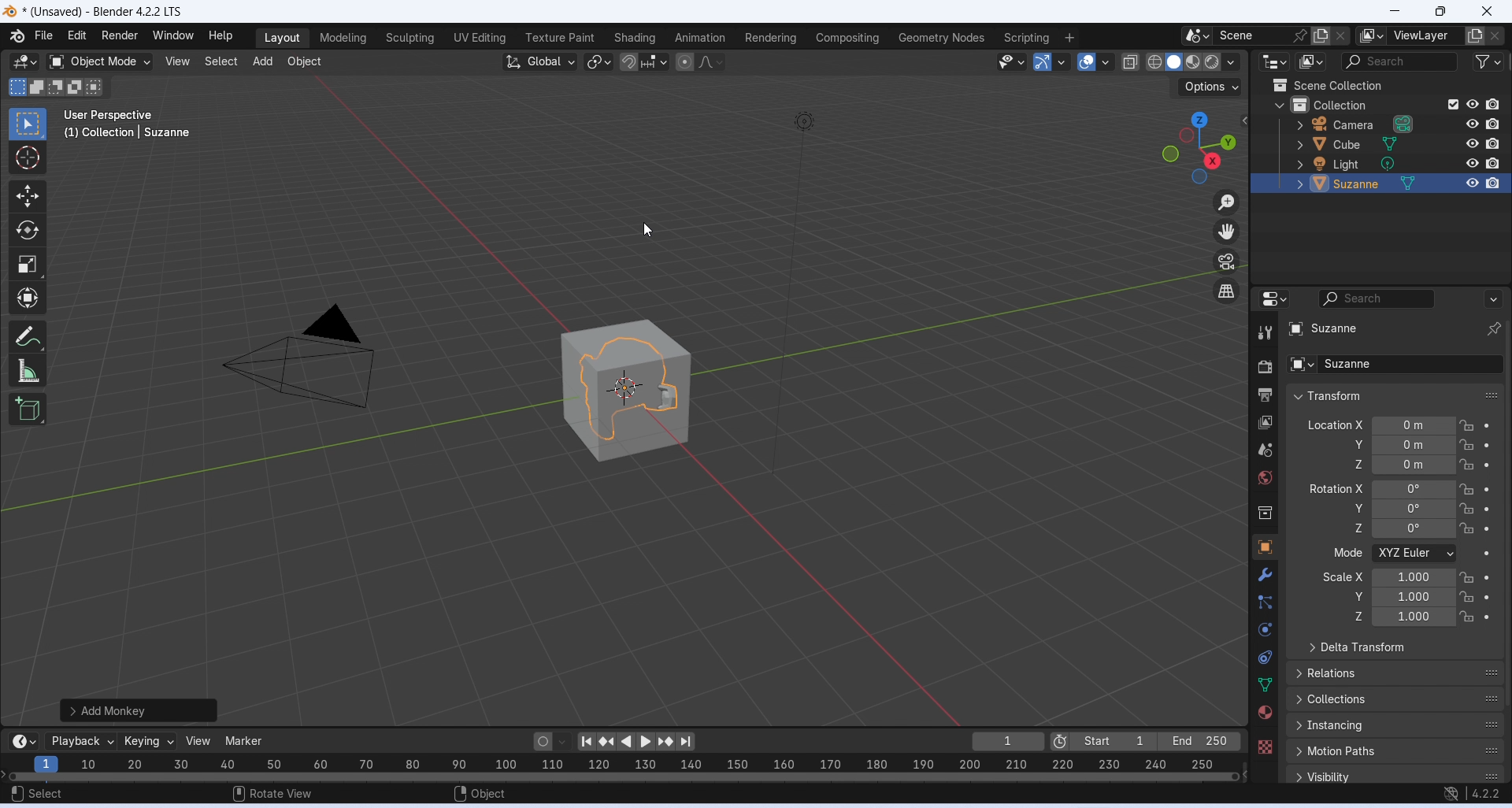 This screenshot has height=808, width=1512. I want to click on jump to keyframe, so click(608, 744).